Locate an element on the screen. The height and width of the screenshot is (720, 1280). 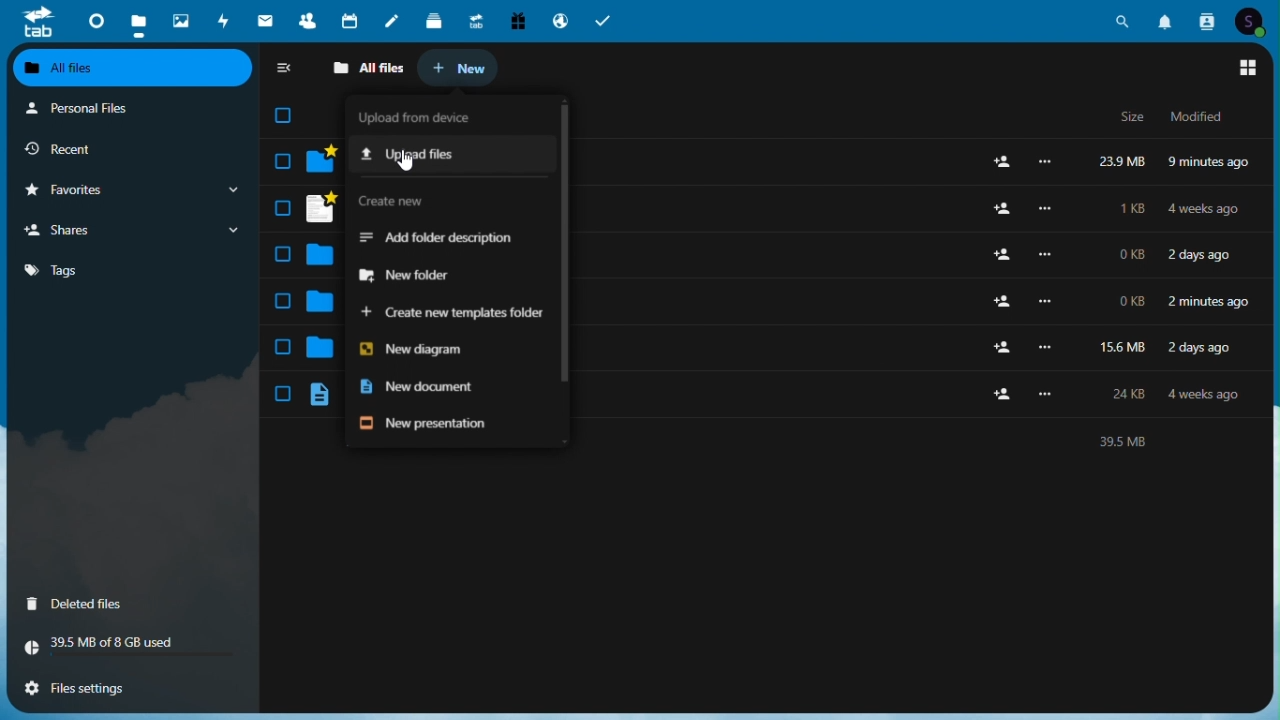
Storage is located at coordinates (131, 648).